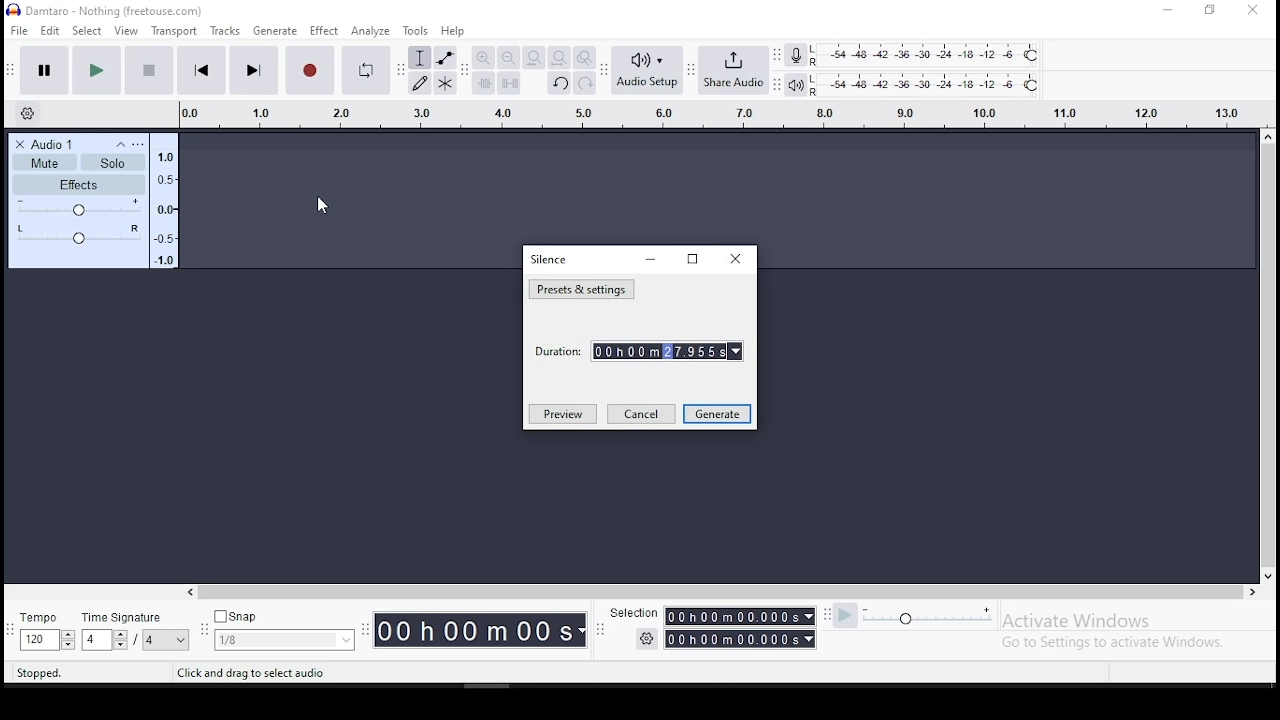 This screenshot has height=720, width=1280. I want to click on Audio 1, so click(49, 143).